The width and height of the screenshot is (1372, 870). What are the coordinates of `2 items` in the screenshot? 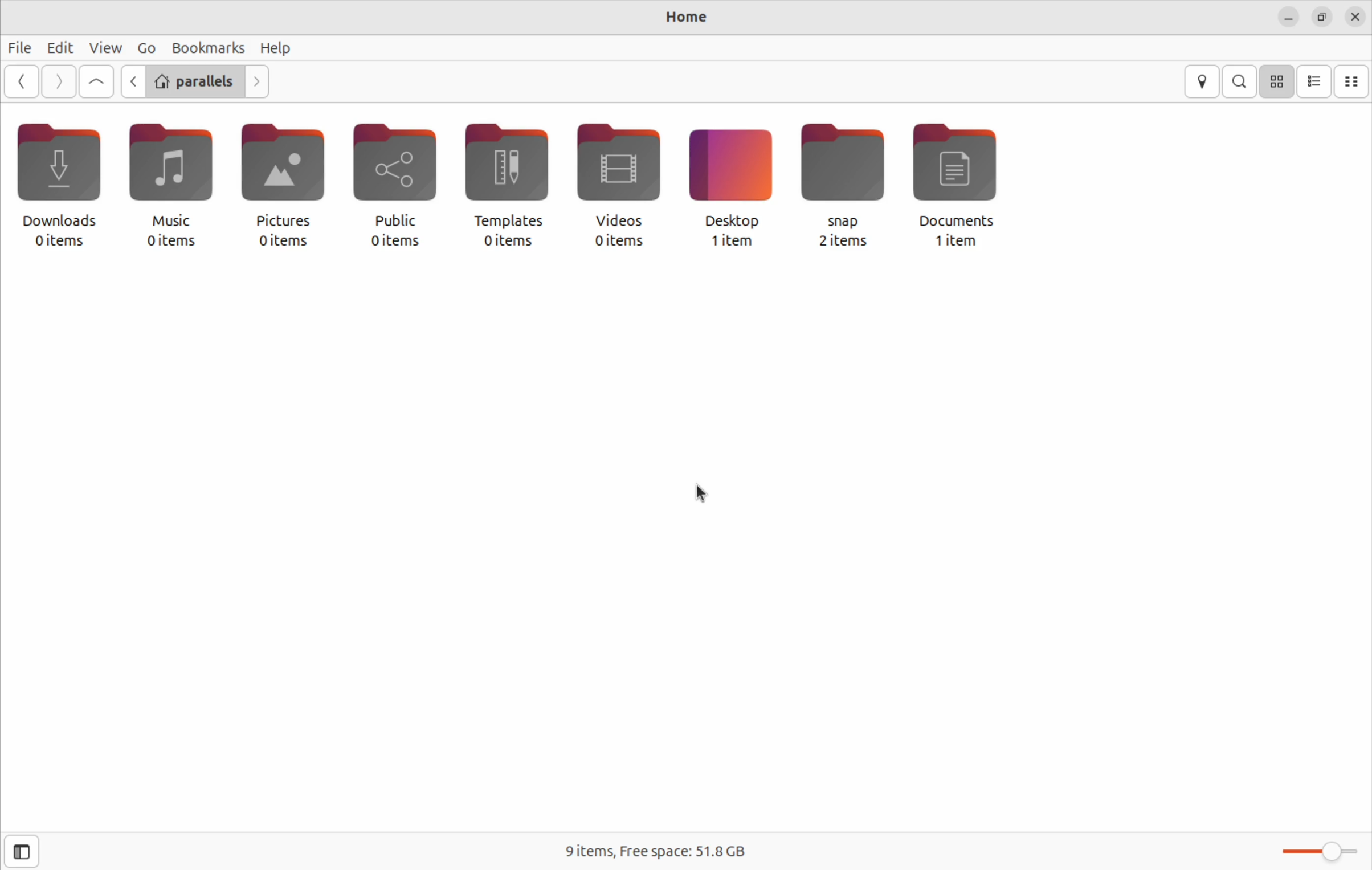 It's located at (843, 241).